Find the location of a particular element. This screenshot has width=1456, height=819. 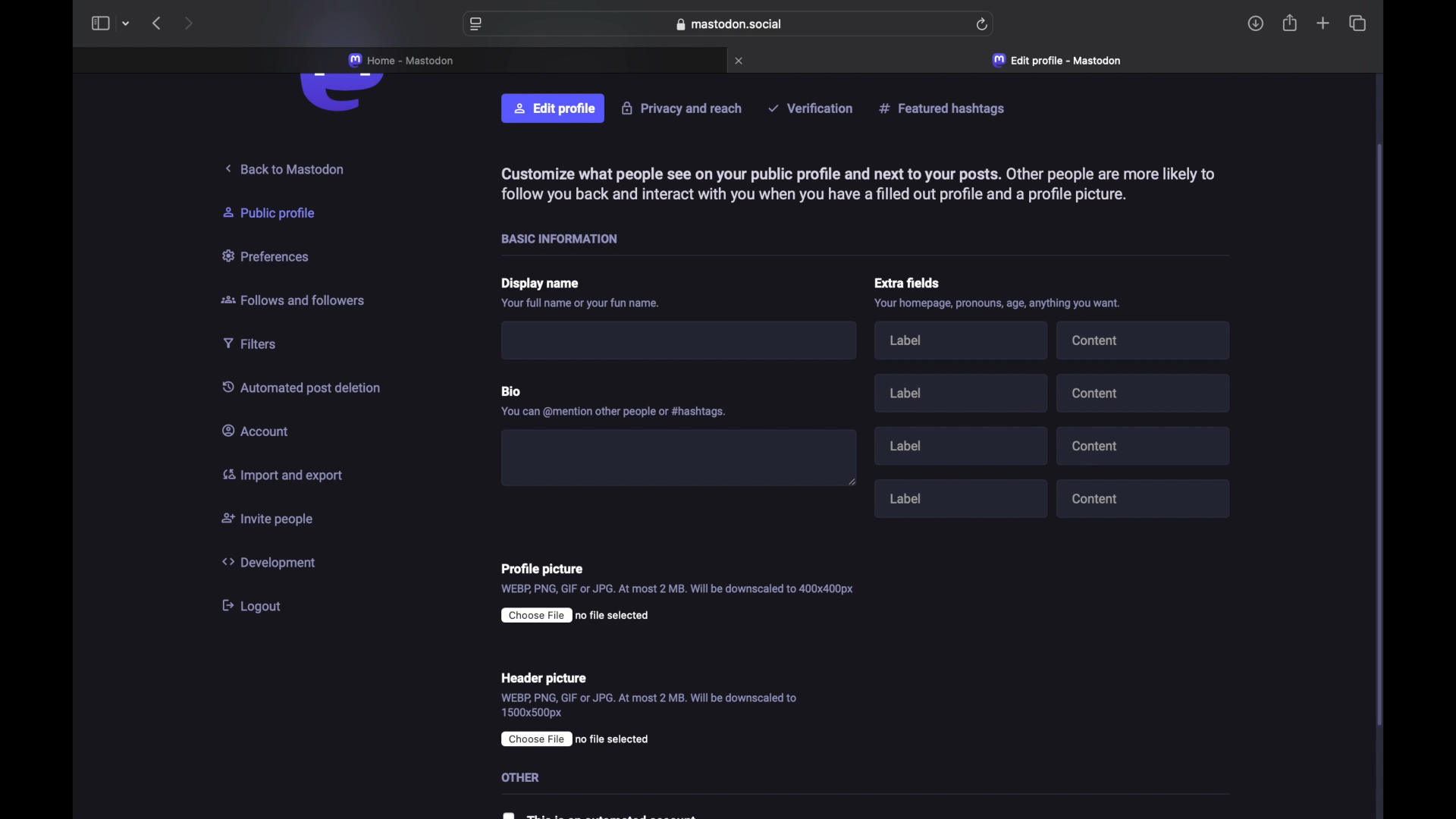

tab group picker is located at coordinates (126, 24).